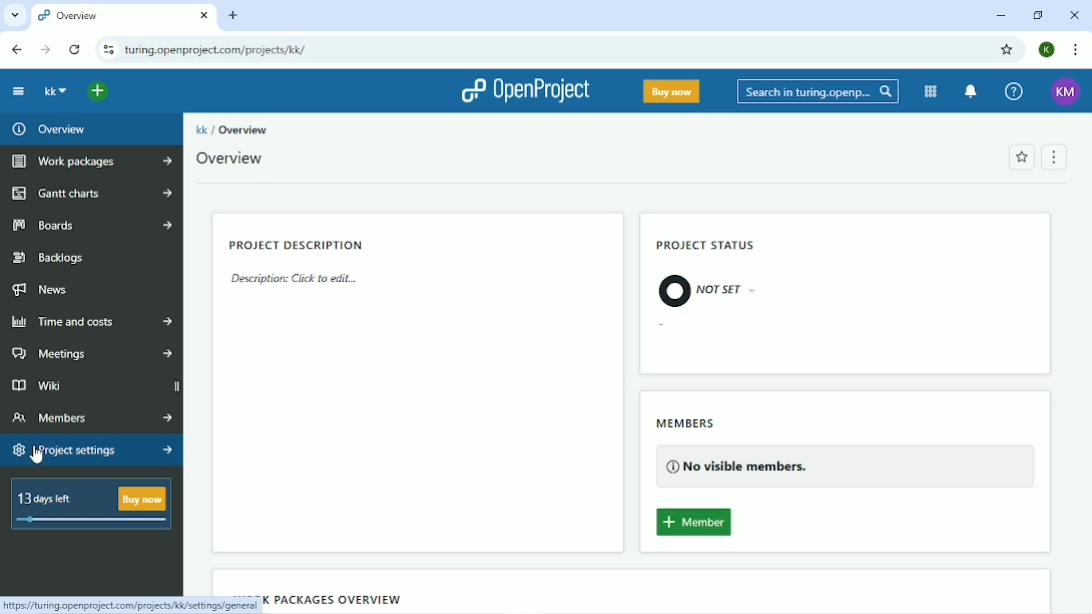  What do you see at coordinates (1076, 49) in the screenshot?
I see `Customize and control google chrome` at bounding box center [1076, 49].